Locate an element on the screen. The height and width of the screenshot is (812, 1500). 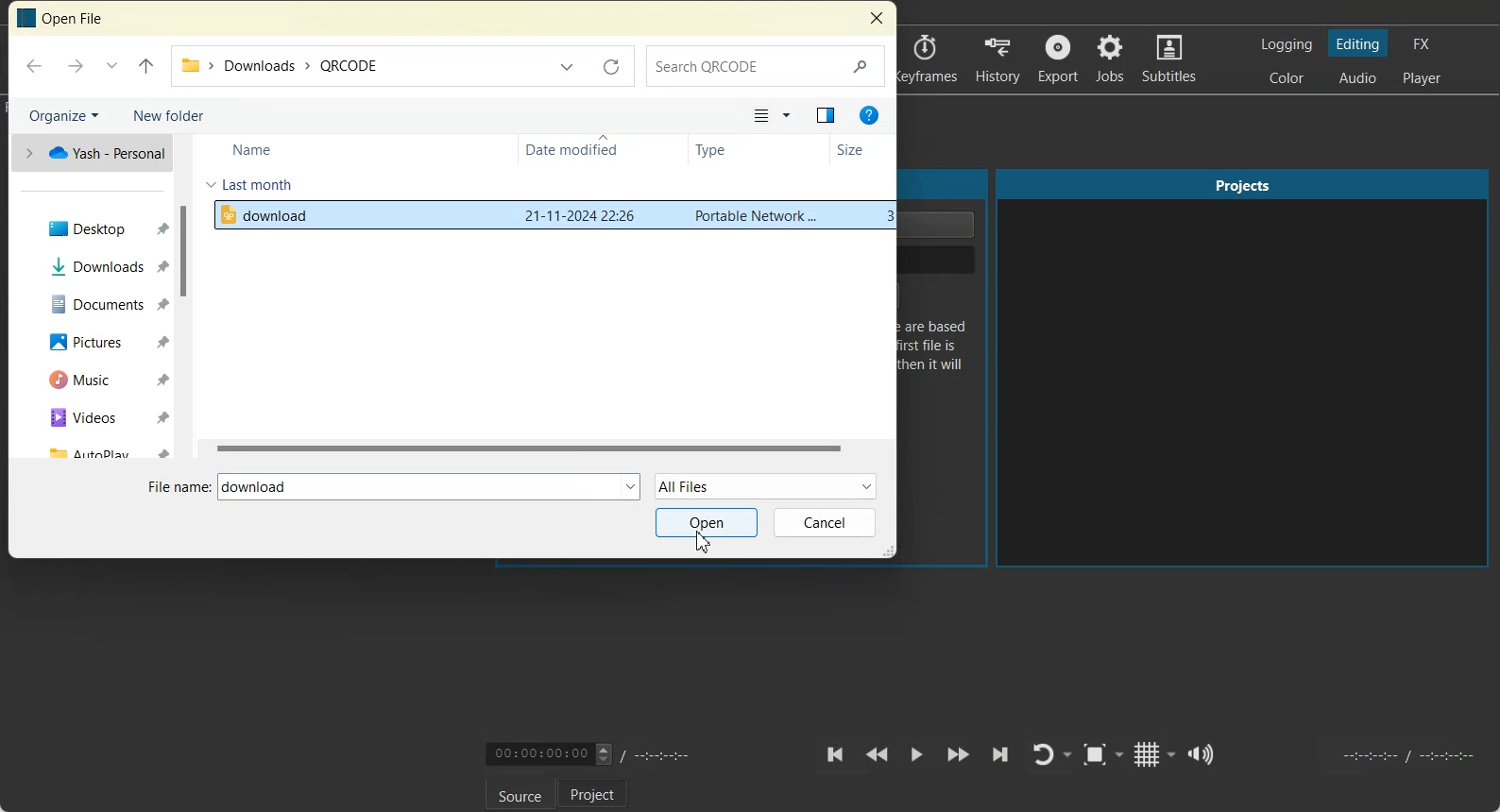
Open is located at coordinates (707, 522).